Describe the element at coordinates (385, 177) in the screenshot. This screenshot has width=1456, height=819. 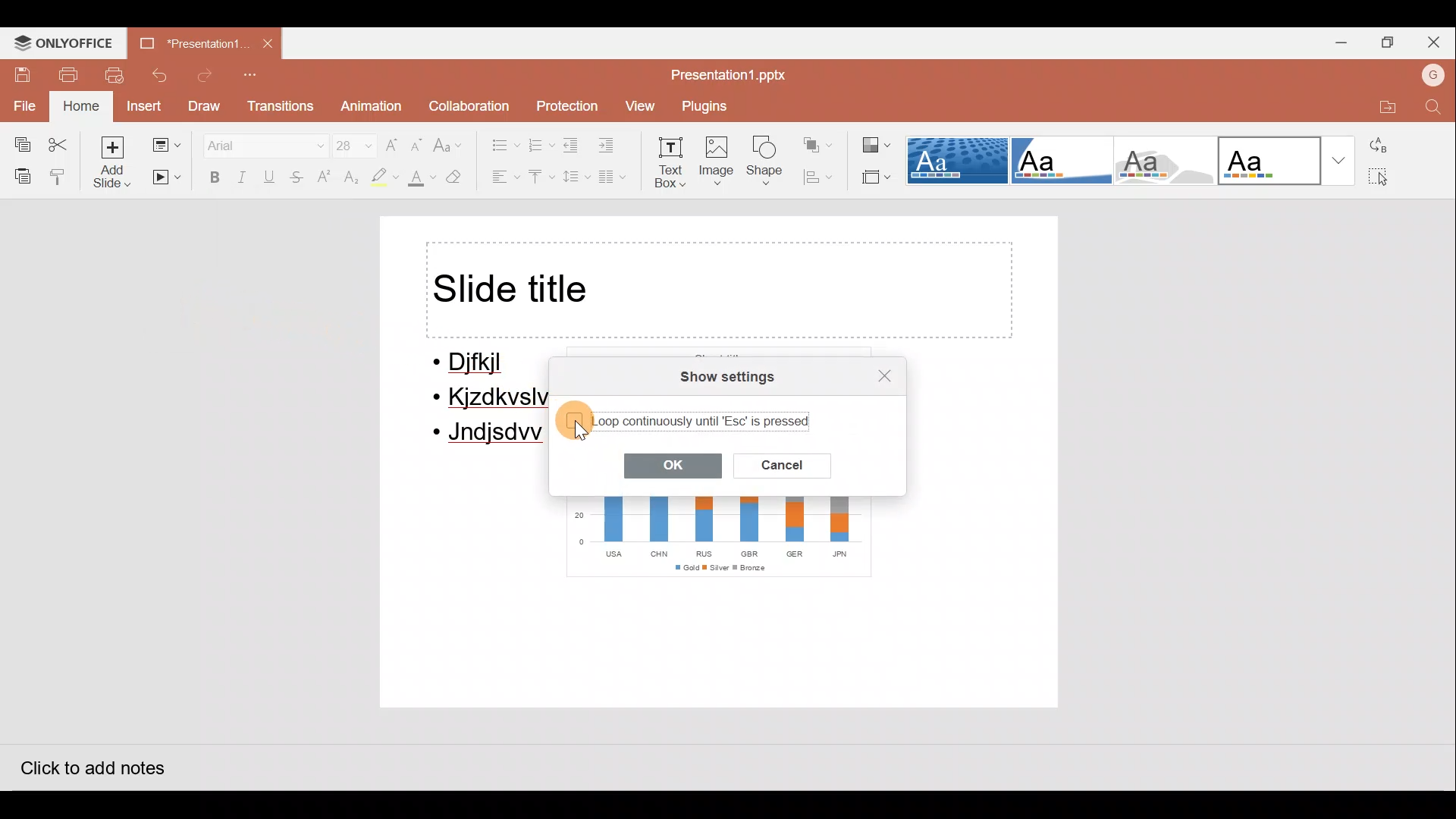
I see `Highlight colour` at that location.